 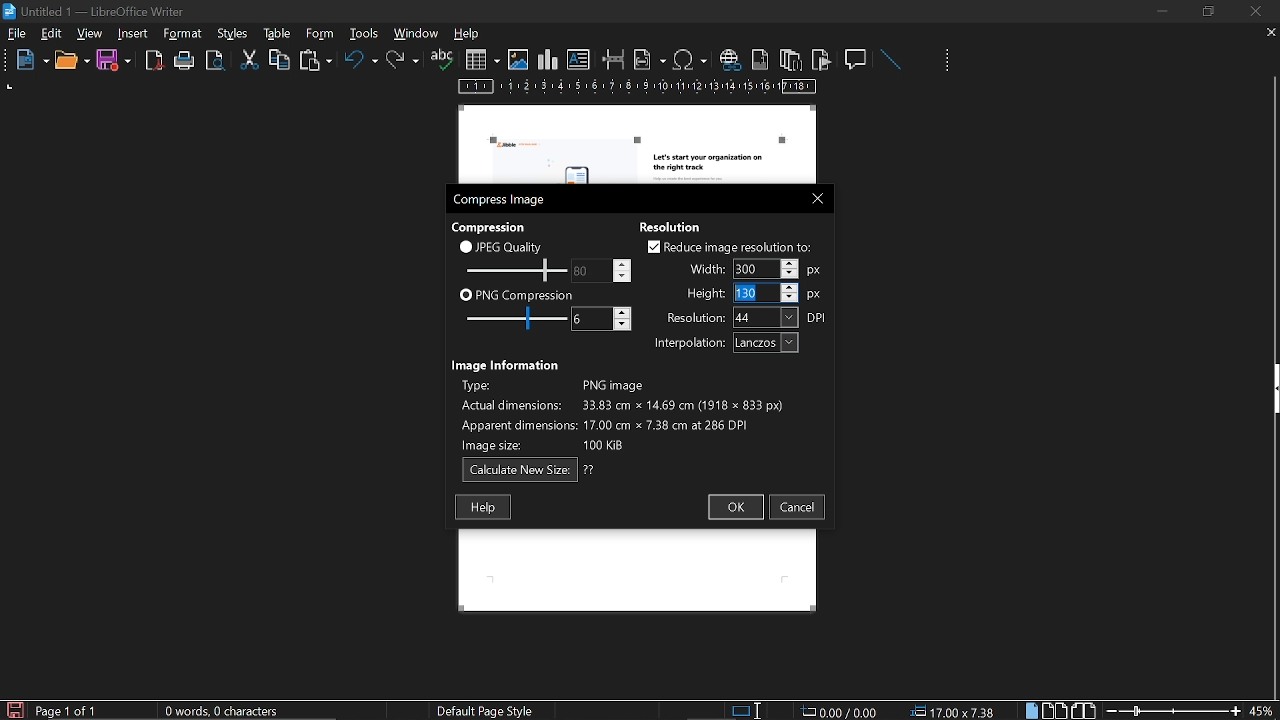 I want to click on help, so click(x=470, y=35).